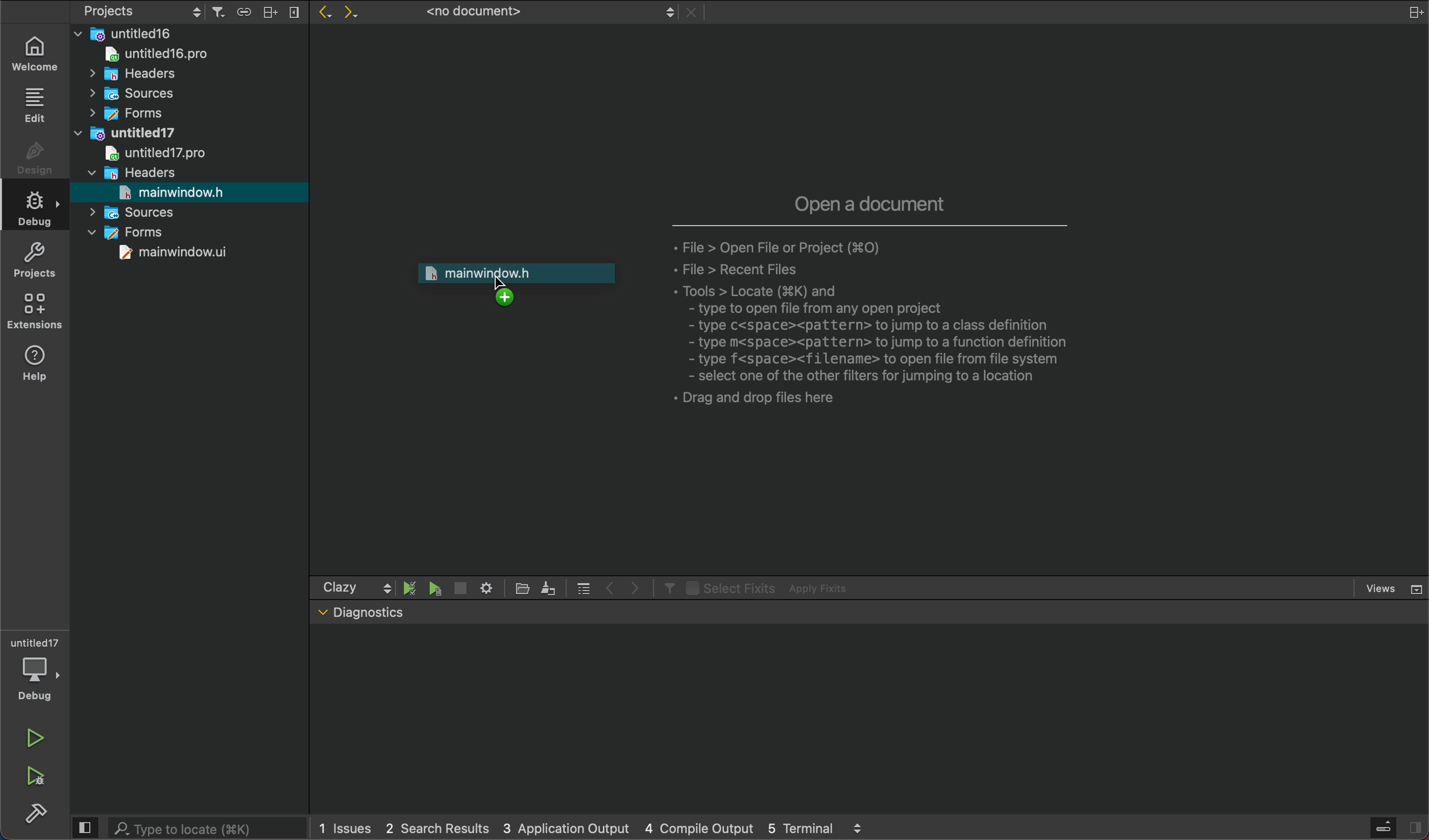  I want to click on attach, so click(241, 11).